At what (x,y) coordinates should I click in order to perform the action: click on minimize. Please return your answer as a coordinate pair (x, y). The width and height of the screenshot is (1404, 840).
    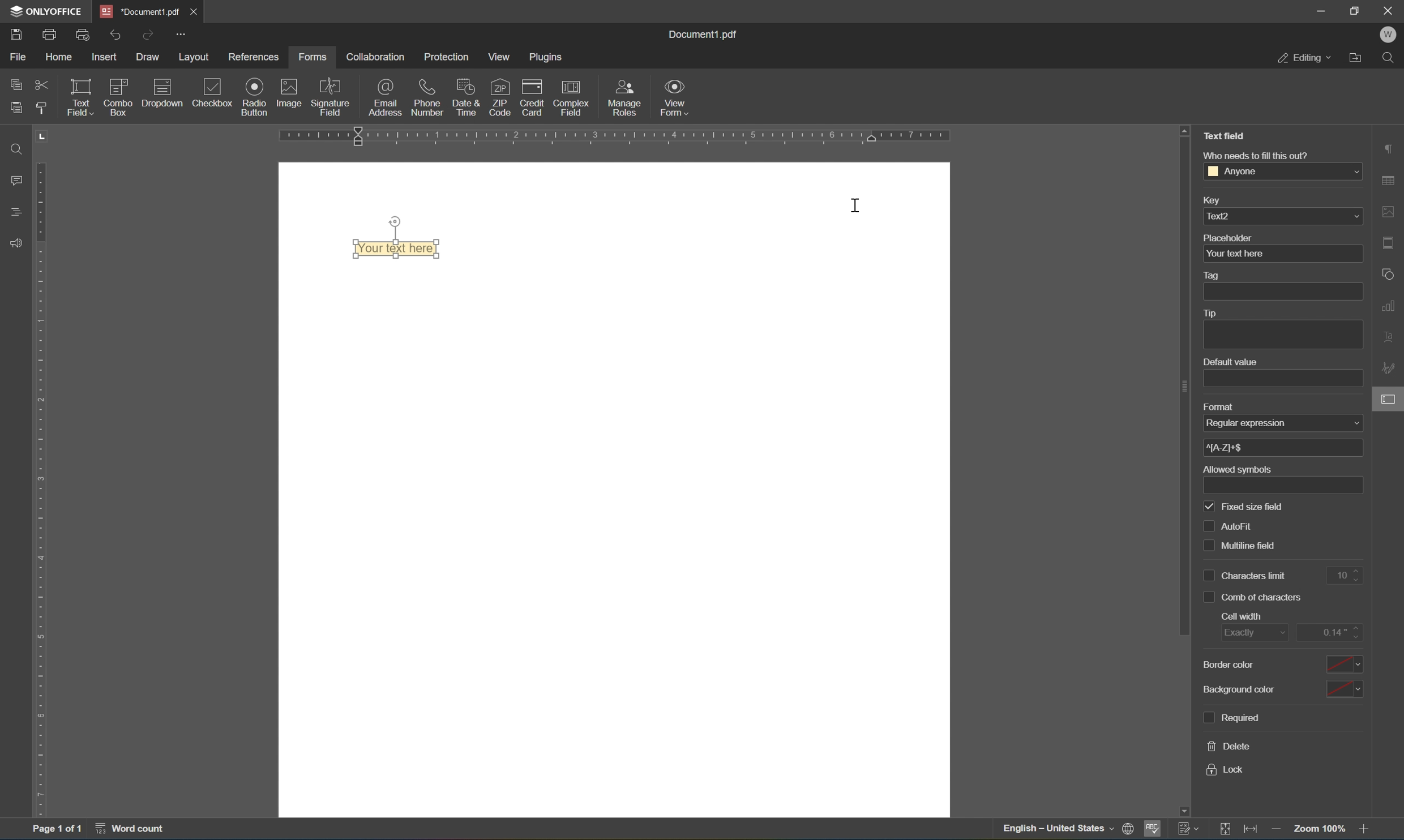
    Looking at the image, I should click on (1321, 12).